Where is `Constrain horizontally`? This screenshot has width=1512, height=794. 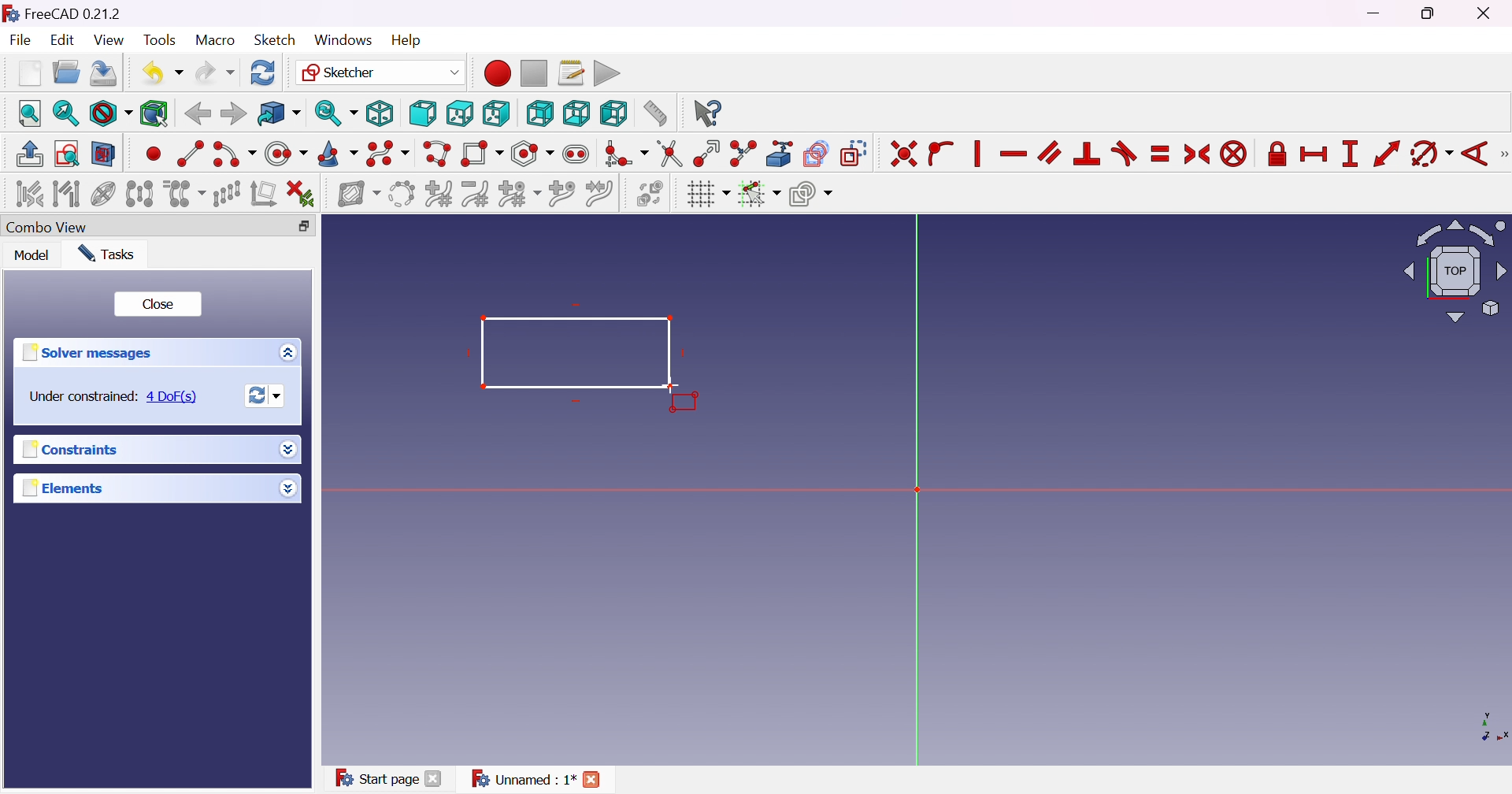
Constrain horizontally is located at coordinates (1014, 154).